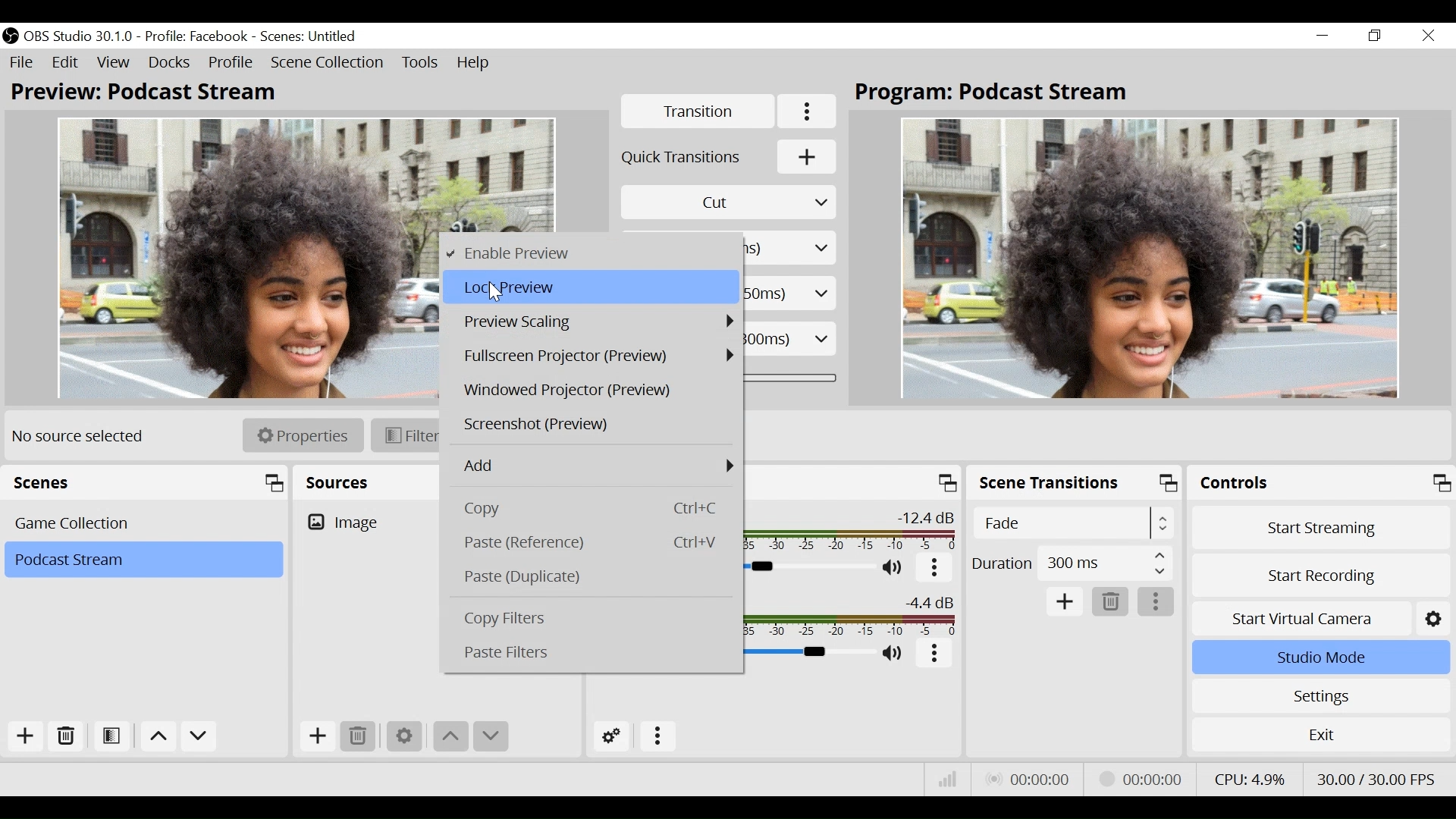  Describe the element at coordinates (1319, 575) in the screenshot. I see `Start Recording` at that location.